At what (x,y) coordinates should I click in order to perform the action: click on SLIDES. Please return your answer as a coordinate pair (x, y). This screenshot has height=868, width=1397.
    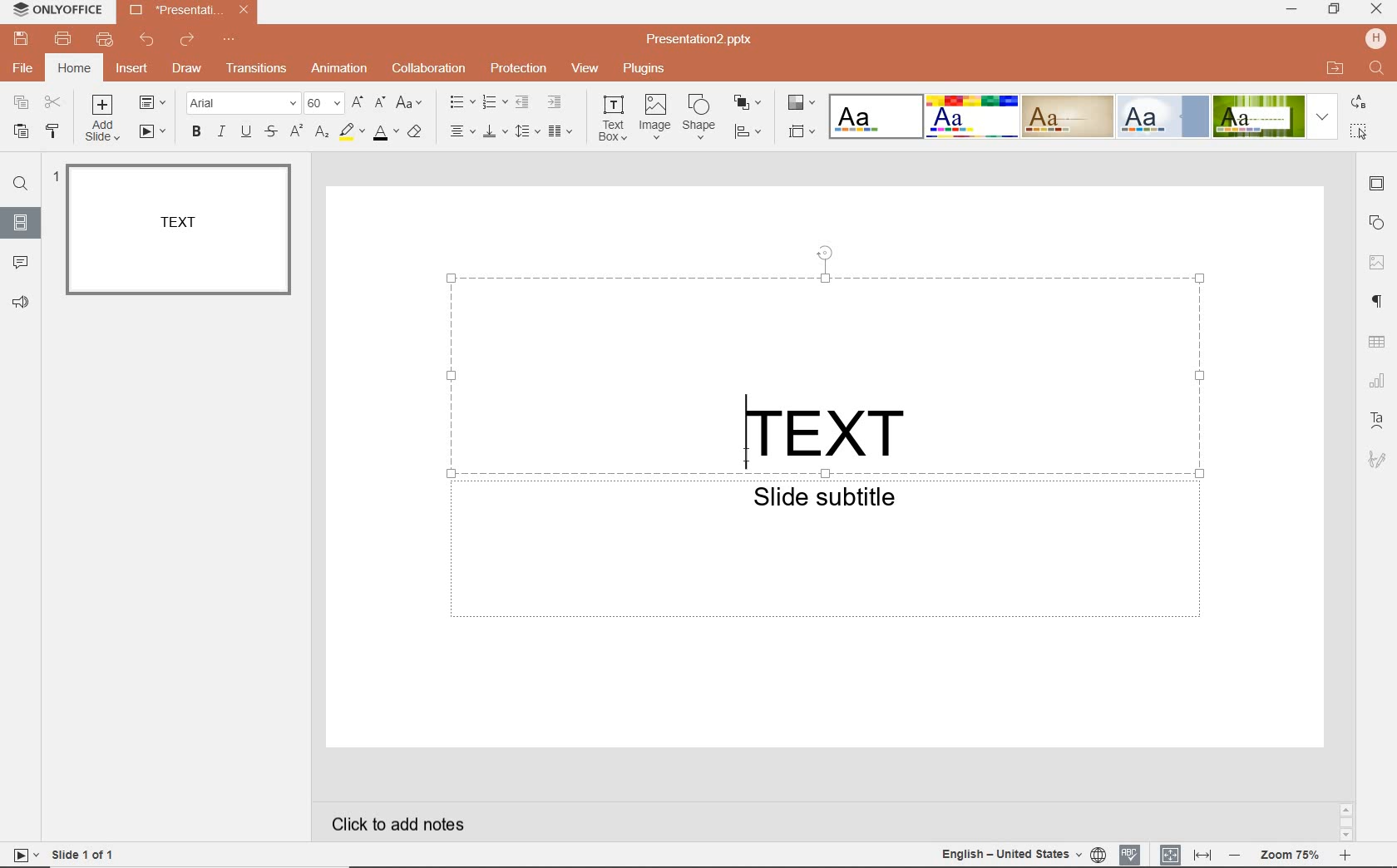
    Looking at the image, I should click on (23, 224).